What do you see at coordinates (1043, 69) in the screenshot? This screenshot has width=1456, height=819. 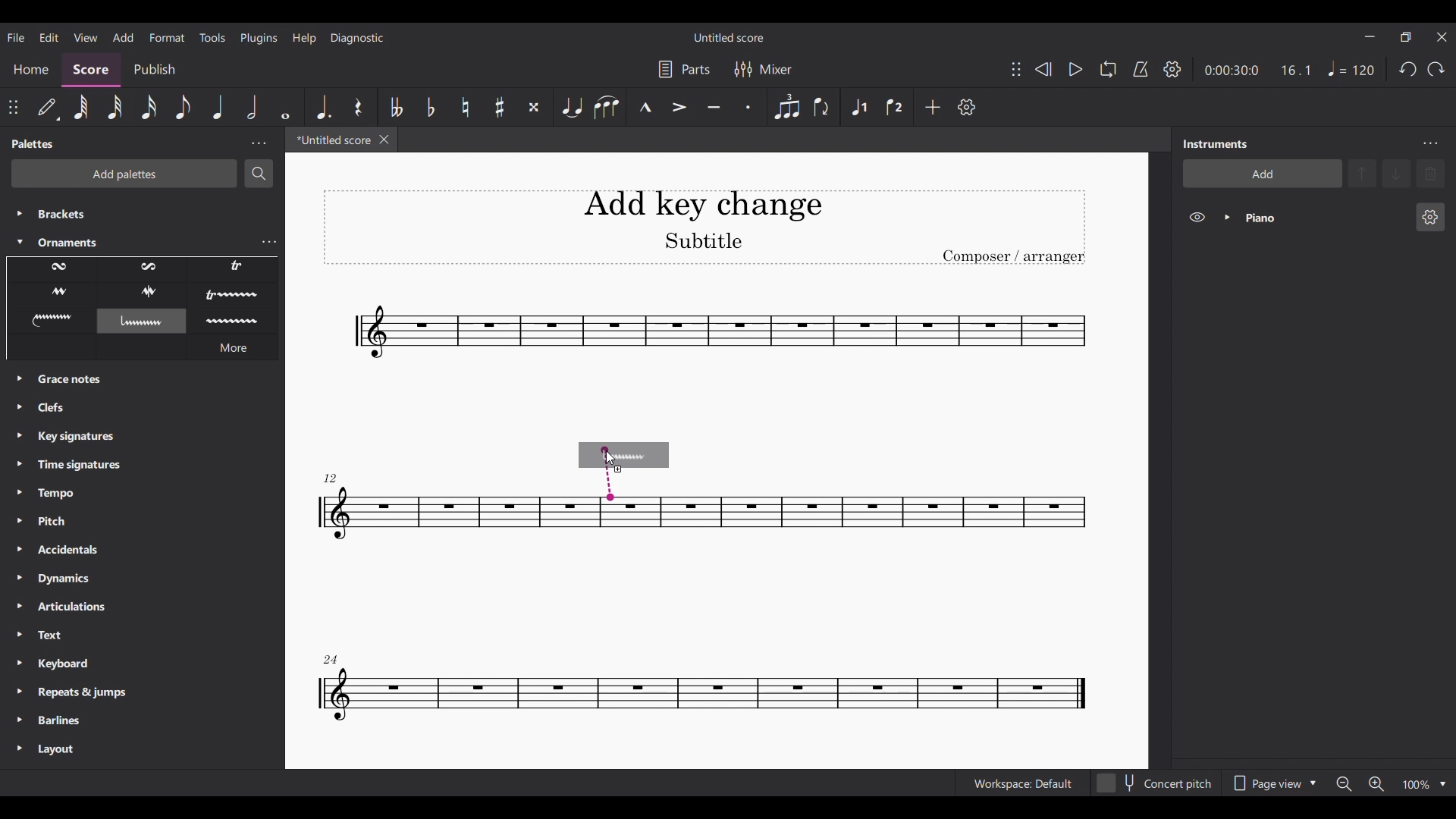 I see `Rewind` at bounding box center [1043, 69].